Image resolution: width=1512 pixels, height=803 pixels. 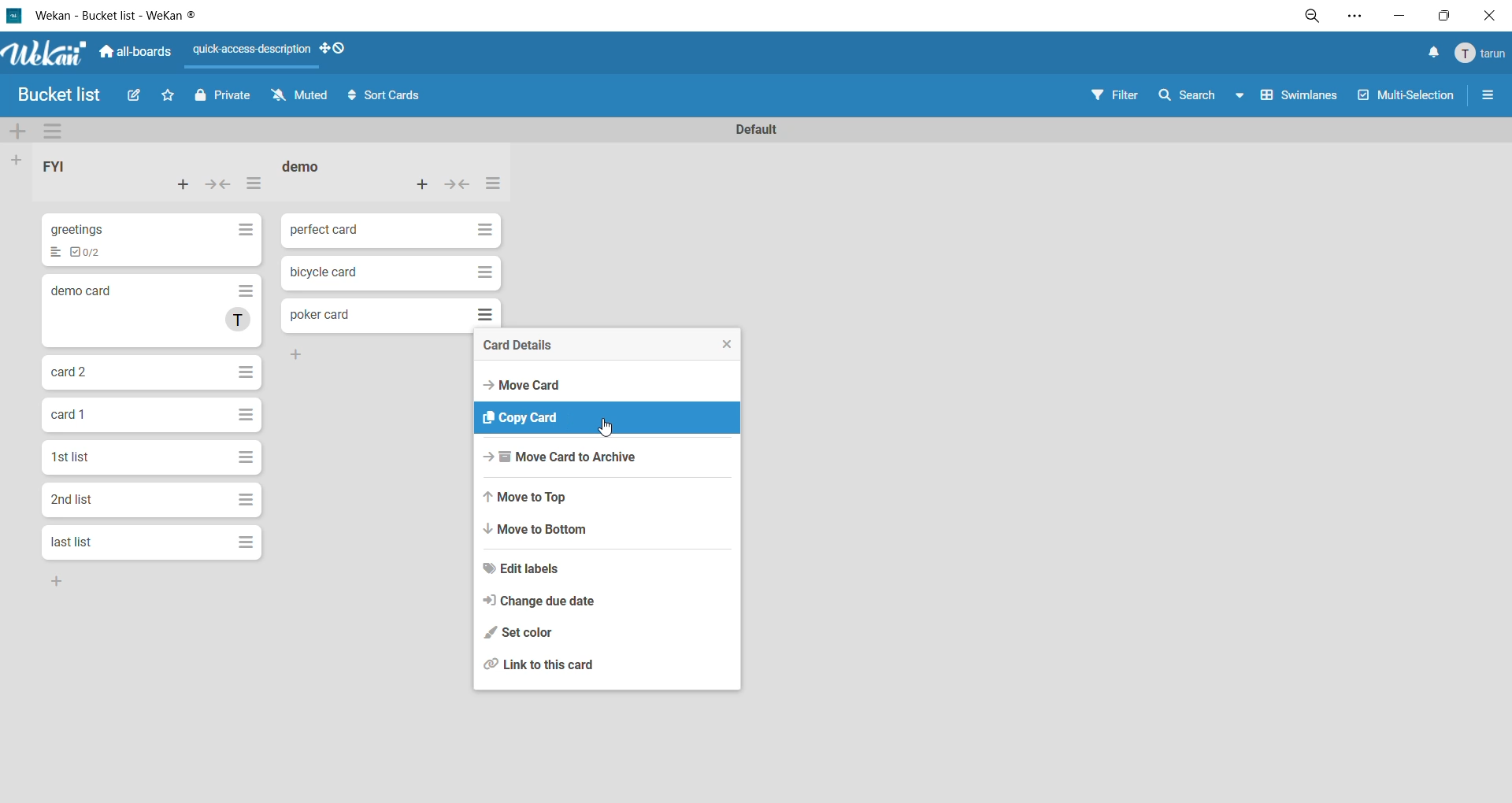 What do you see at coordinates (757, 128) in the screenshot?
I see `swimlane title` at bounding box center [757, 128].